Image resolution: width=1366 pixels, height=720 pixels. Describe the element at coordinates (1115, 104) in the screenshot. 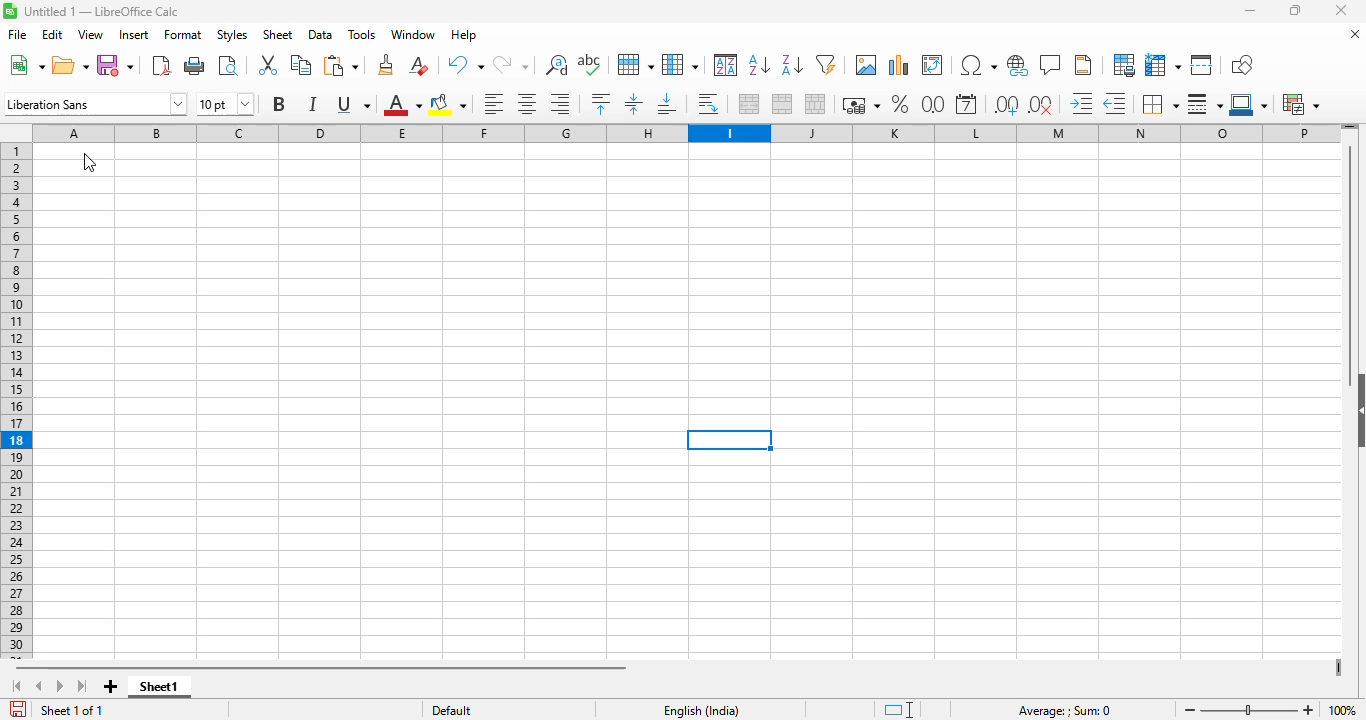

I see `decrease indent` at that location.